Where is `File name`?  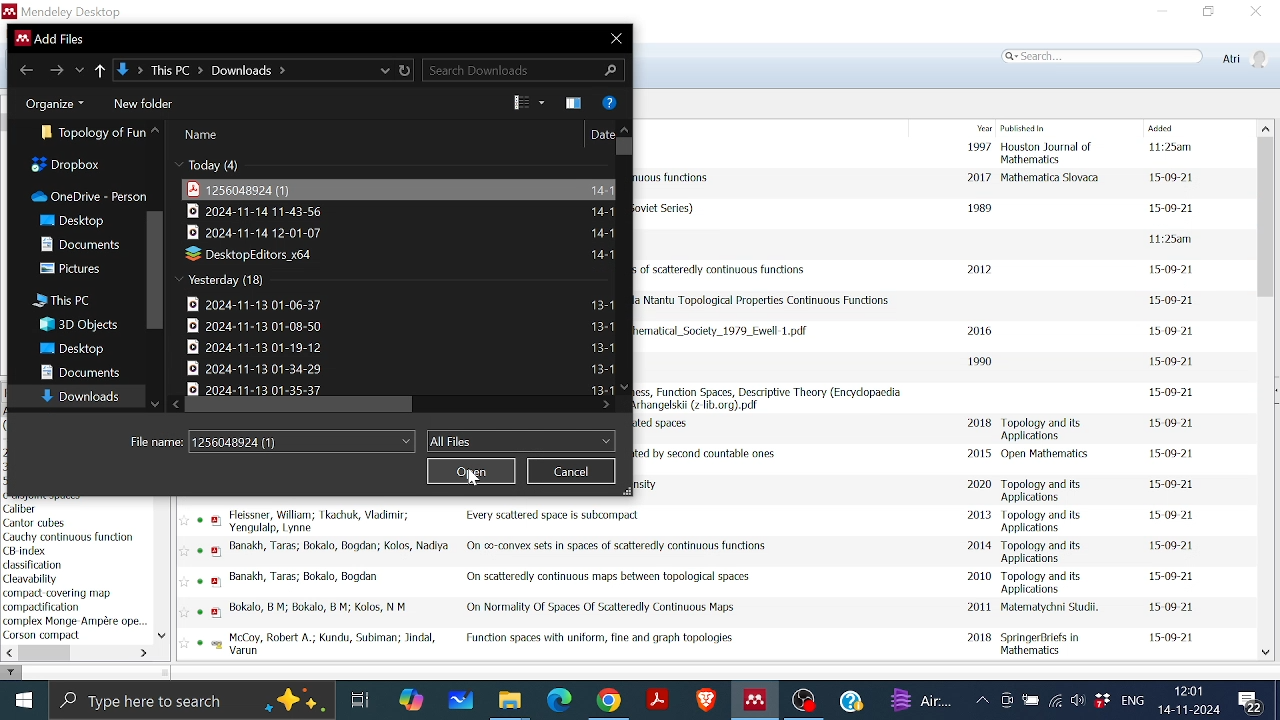
File name is located at coordinates (301, 442).